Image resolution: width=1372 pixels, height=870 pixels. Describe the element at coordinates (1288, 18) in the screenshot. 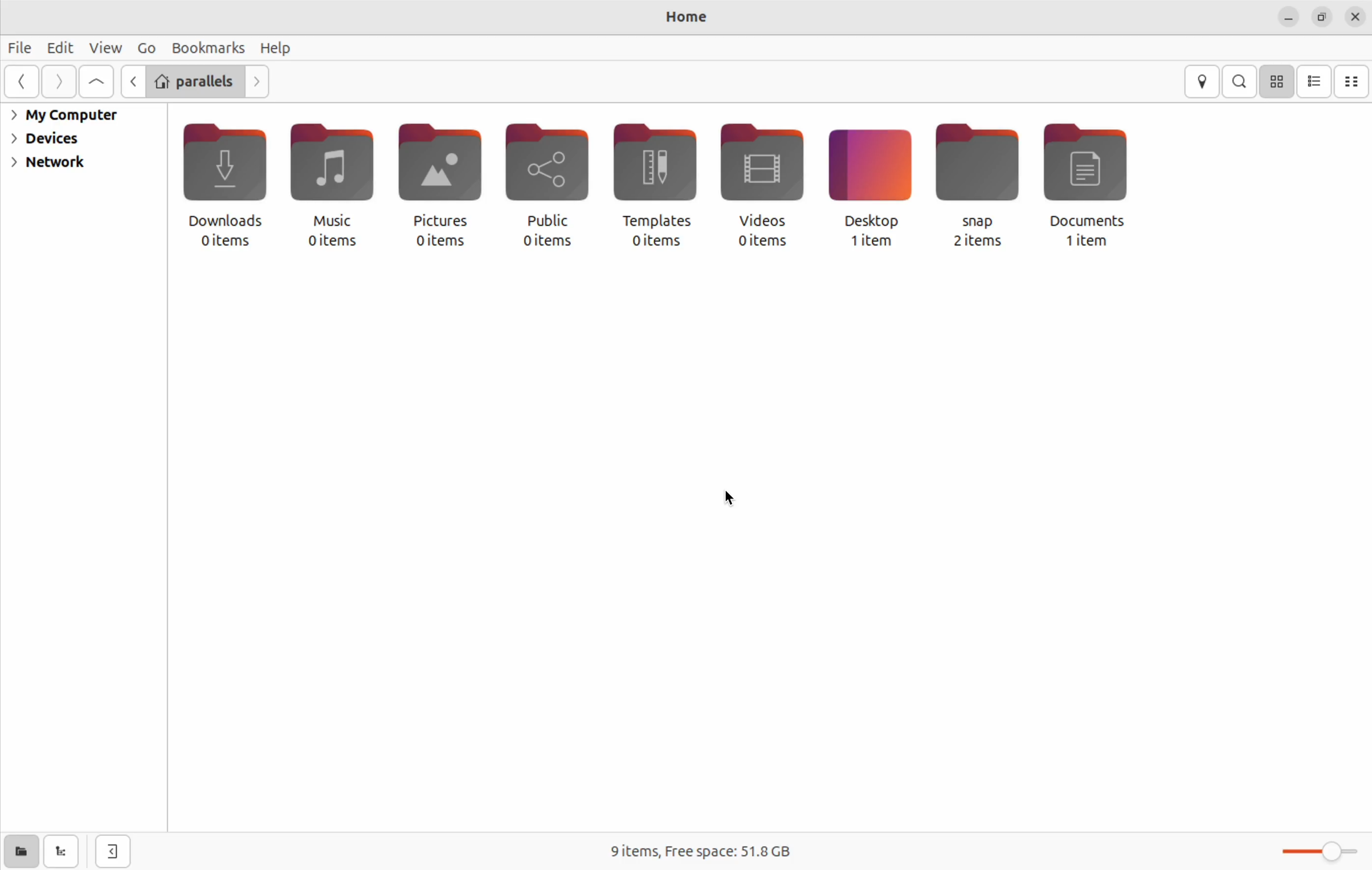

I see `minimze` at that location.